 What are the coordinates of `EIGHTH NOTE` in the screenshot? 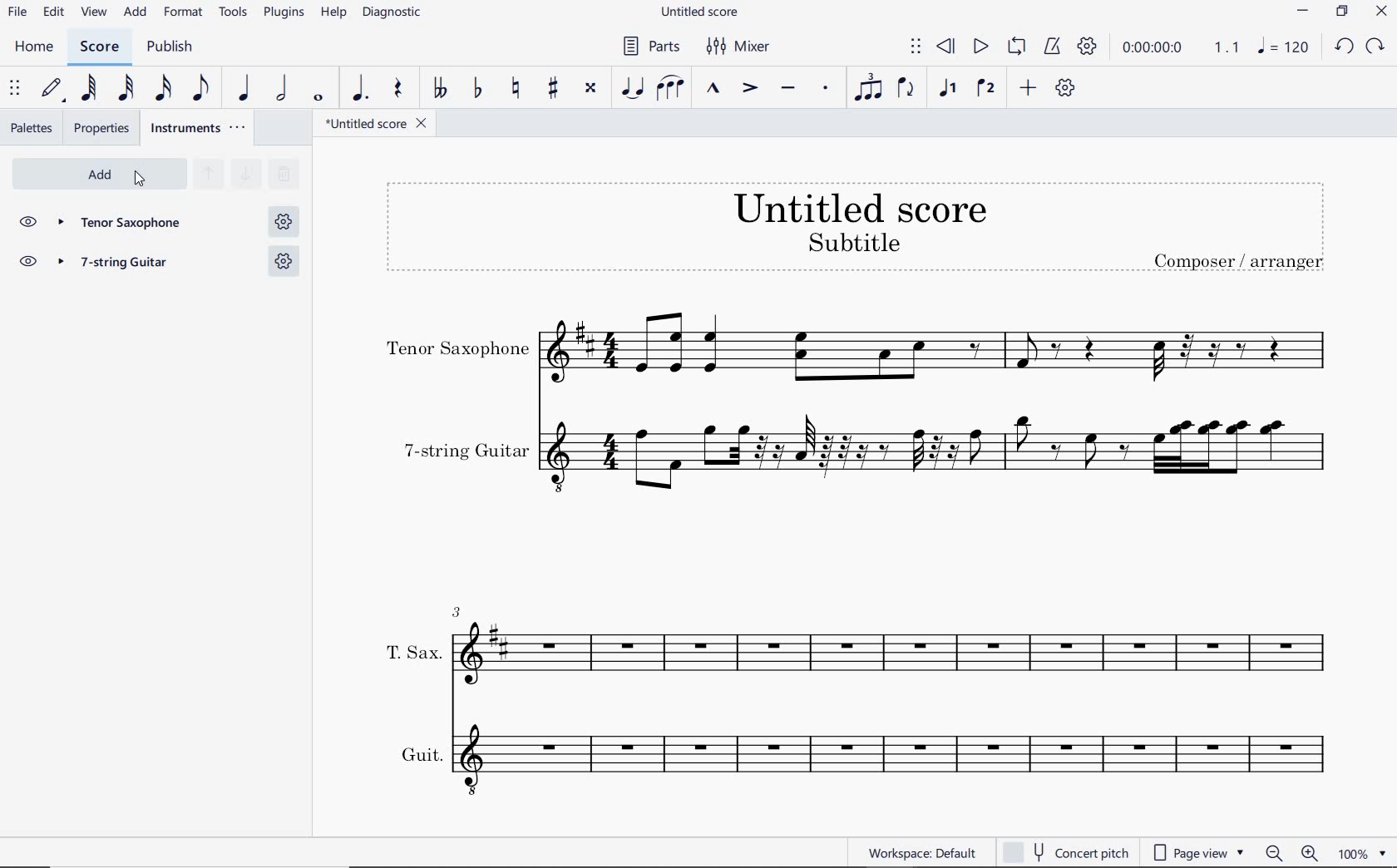 It's located at (202, 86).